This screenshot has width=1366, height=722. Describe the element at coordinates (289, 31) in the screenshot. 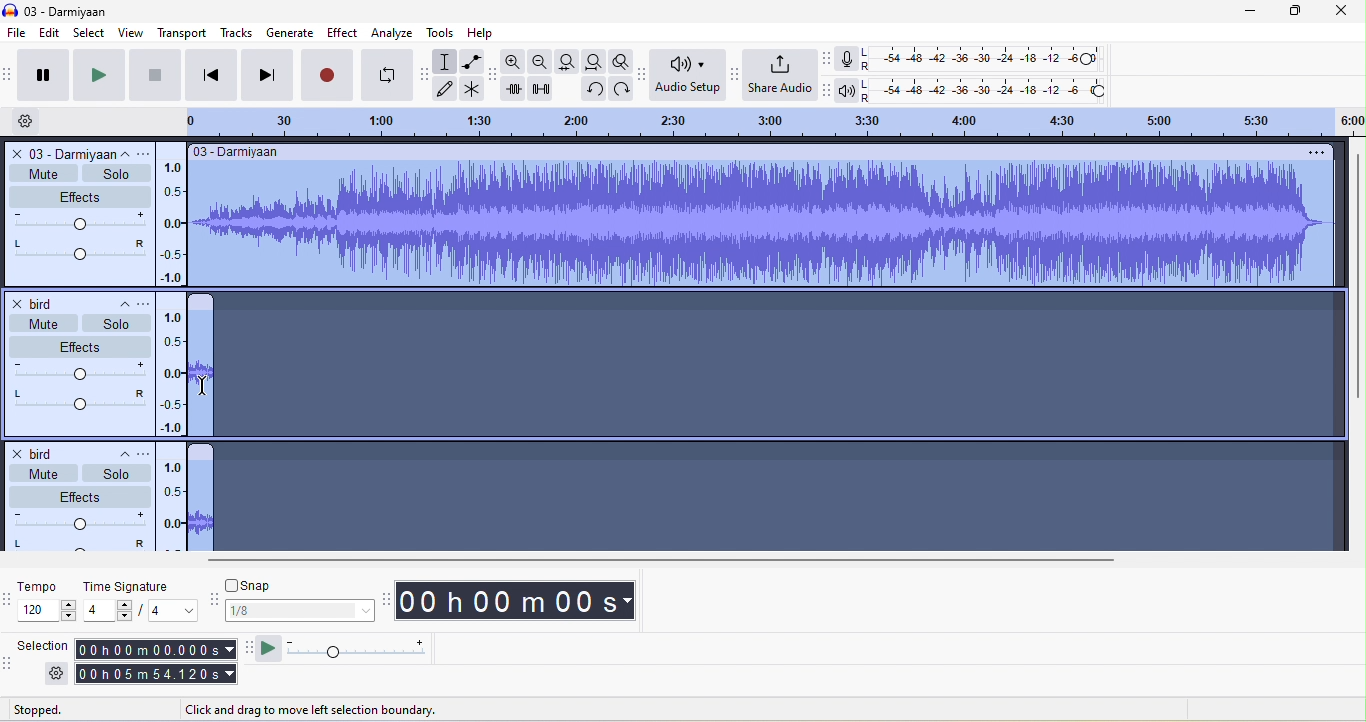

I see `generate` at that location.